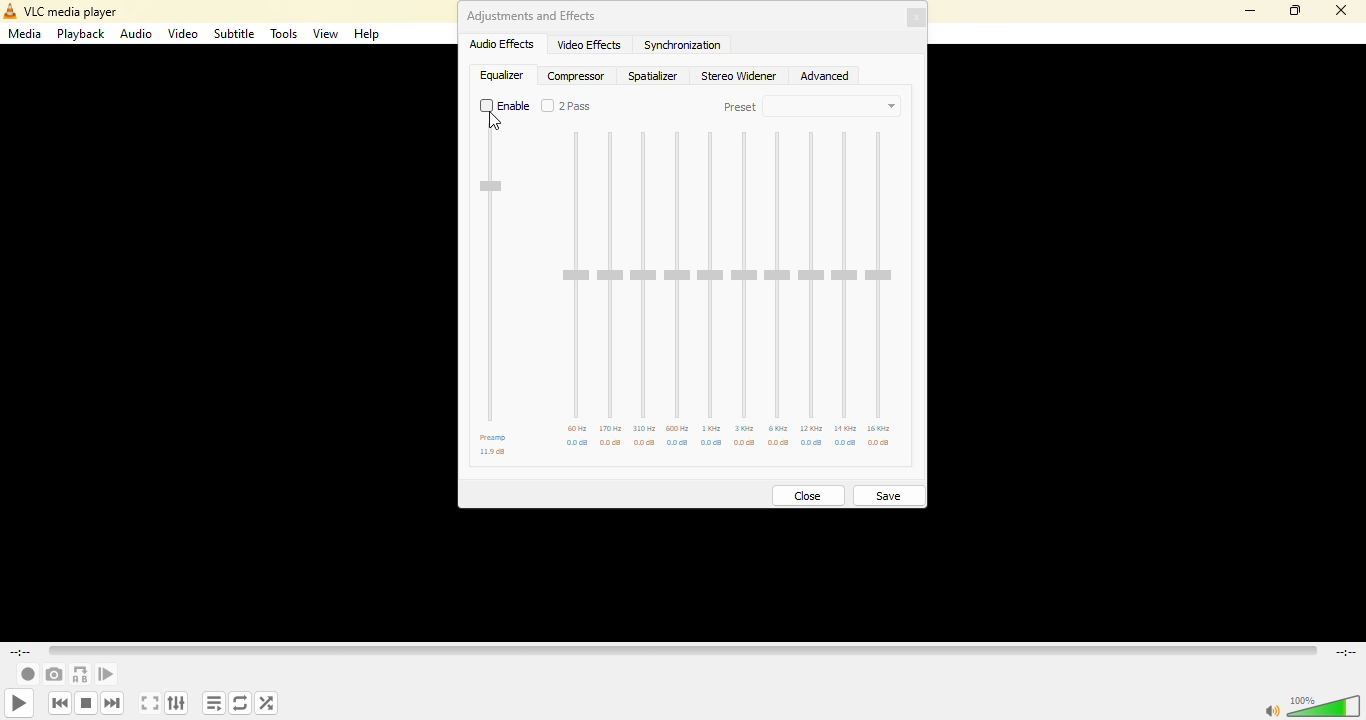 The height and width of the screenshot is (720, 1366). Describe the element at coordinates (501, 75) in the screenshot. I see `equalizer` at that location.